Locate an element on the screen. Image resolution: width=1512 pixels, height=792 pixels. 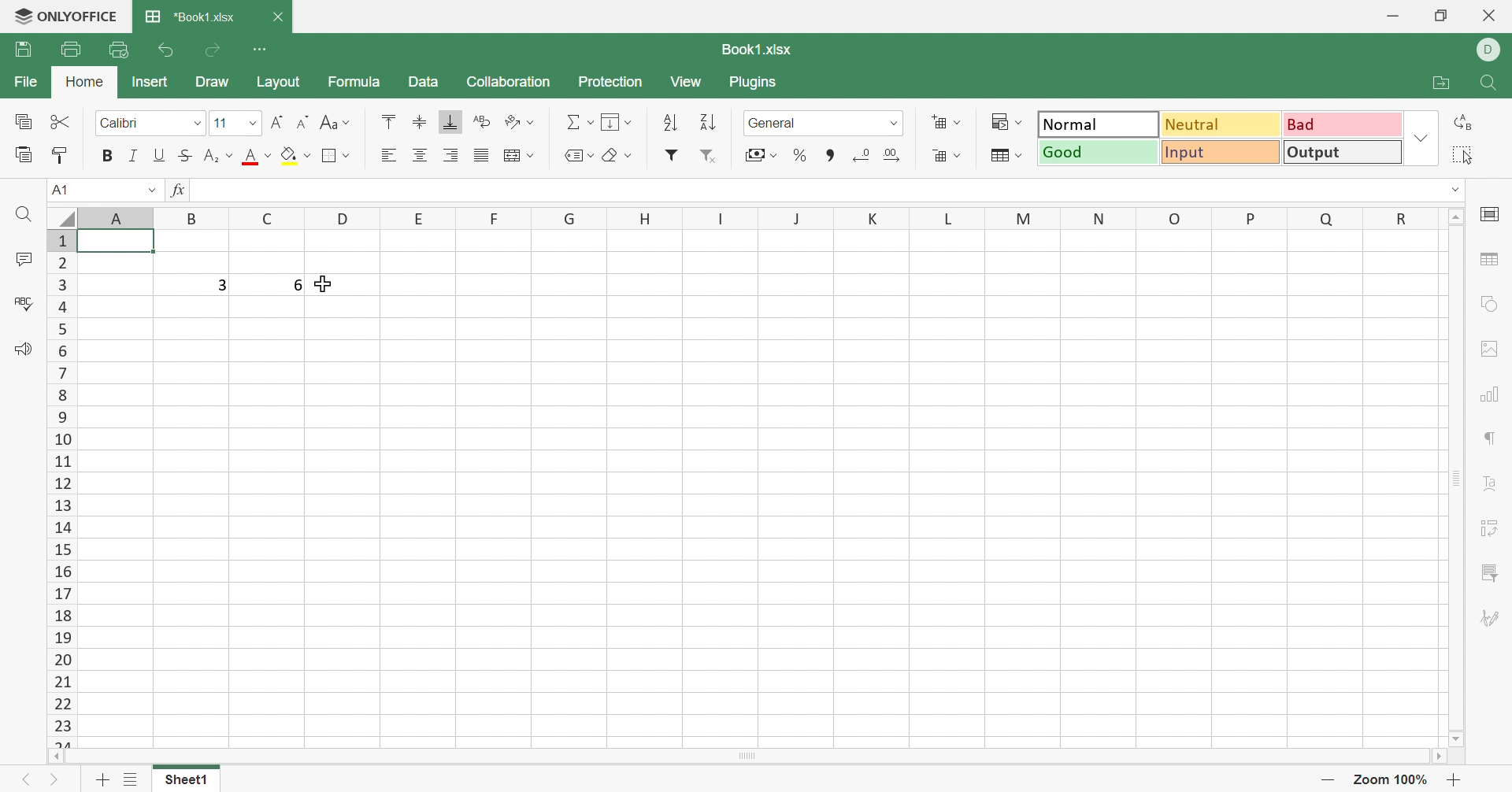
Format as table template is located at coordinates (1004, 154).